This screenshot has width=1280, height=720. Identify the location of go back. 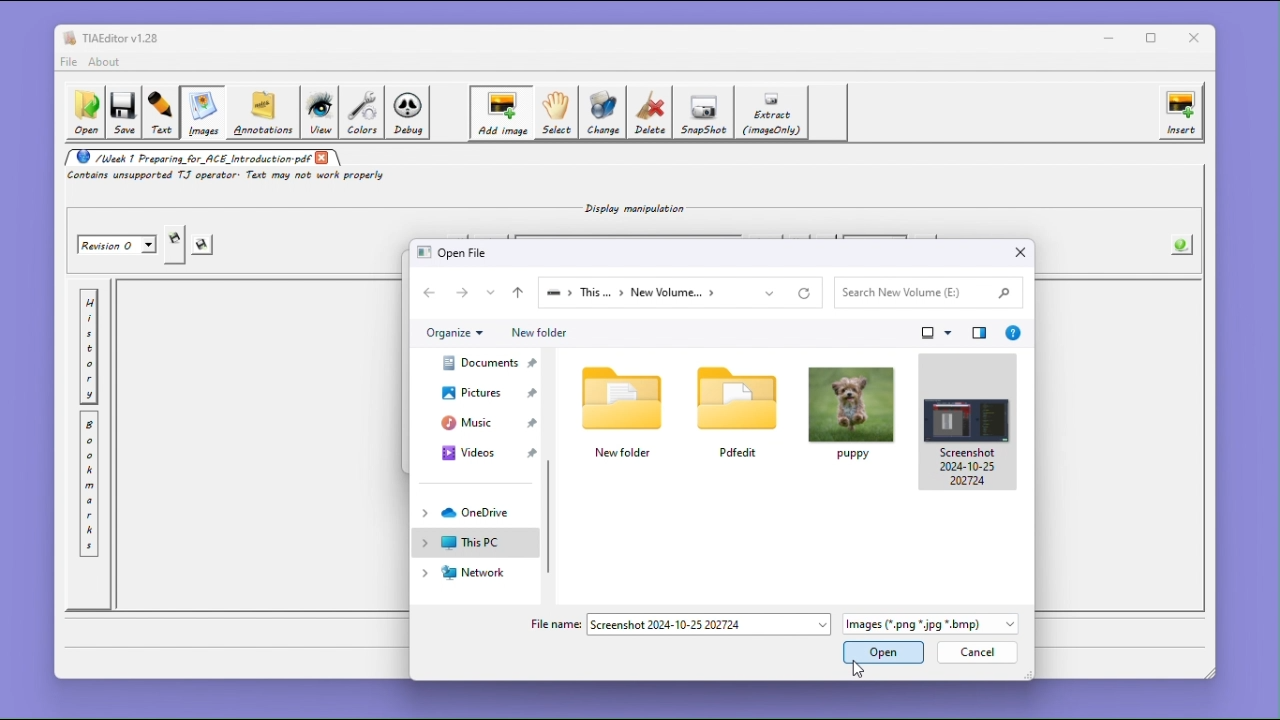
(432, 293).